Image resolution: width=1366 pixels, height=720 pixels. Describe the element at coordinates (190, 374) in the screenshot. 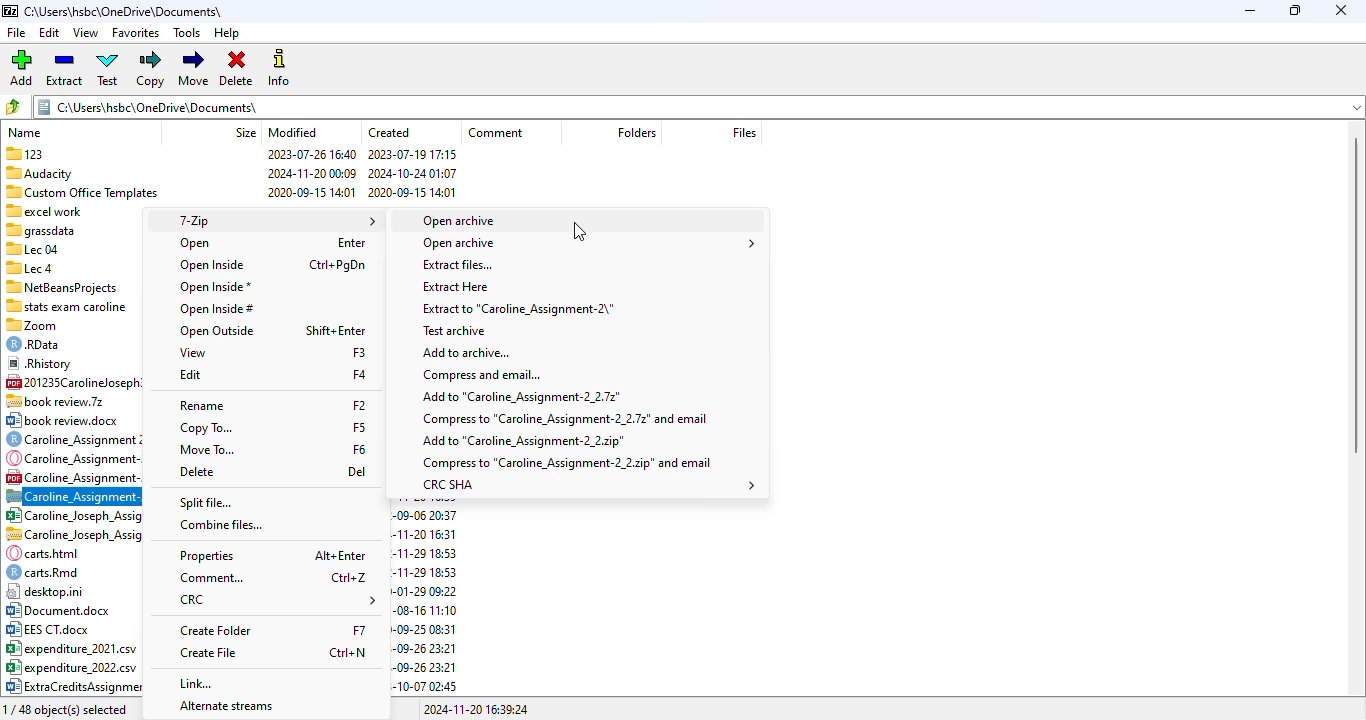

I see `edit` at that location.